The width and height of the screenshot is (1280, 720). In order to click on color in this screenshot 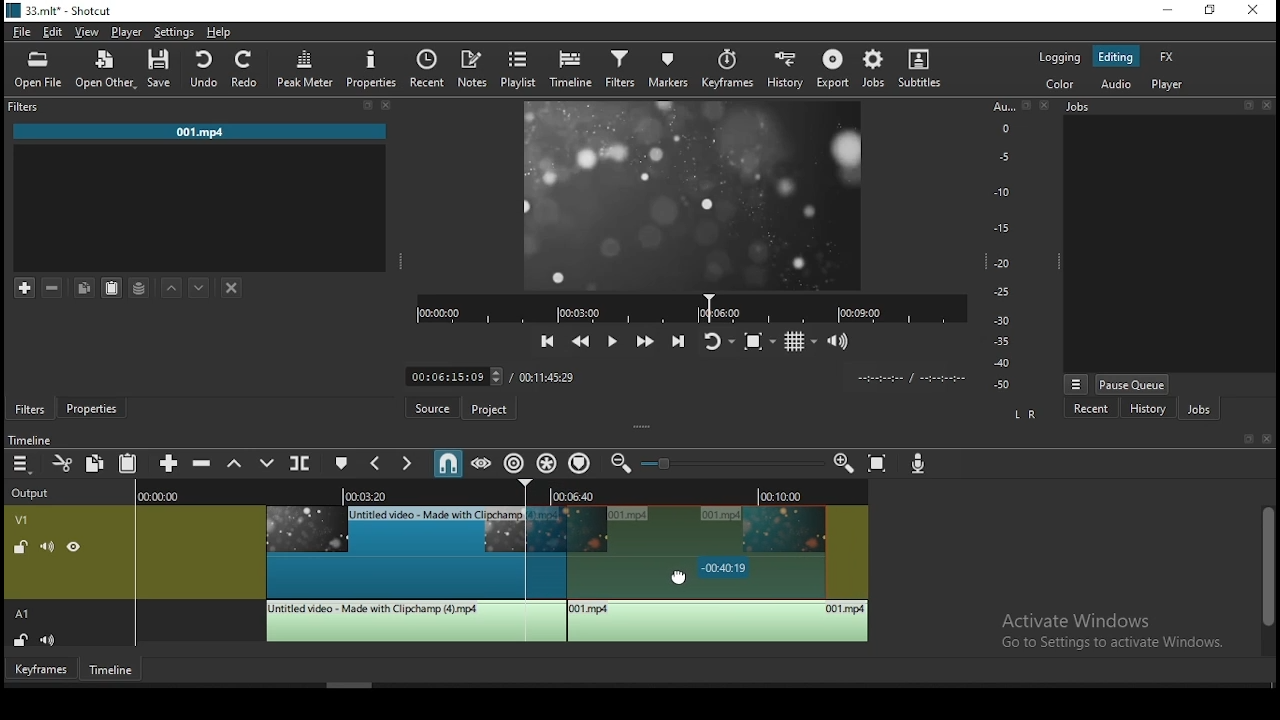, I will do `click(1061, 83)`.